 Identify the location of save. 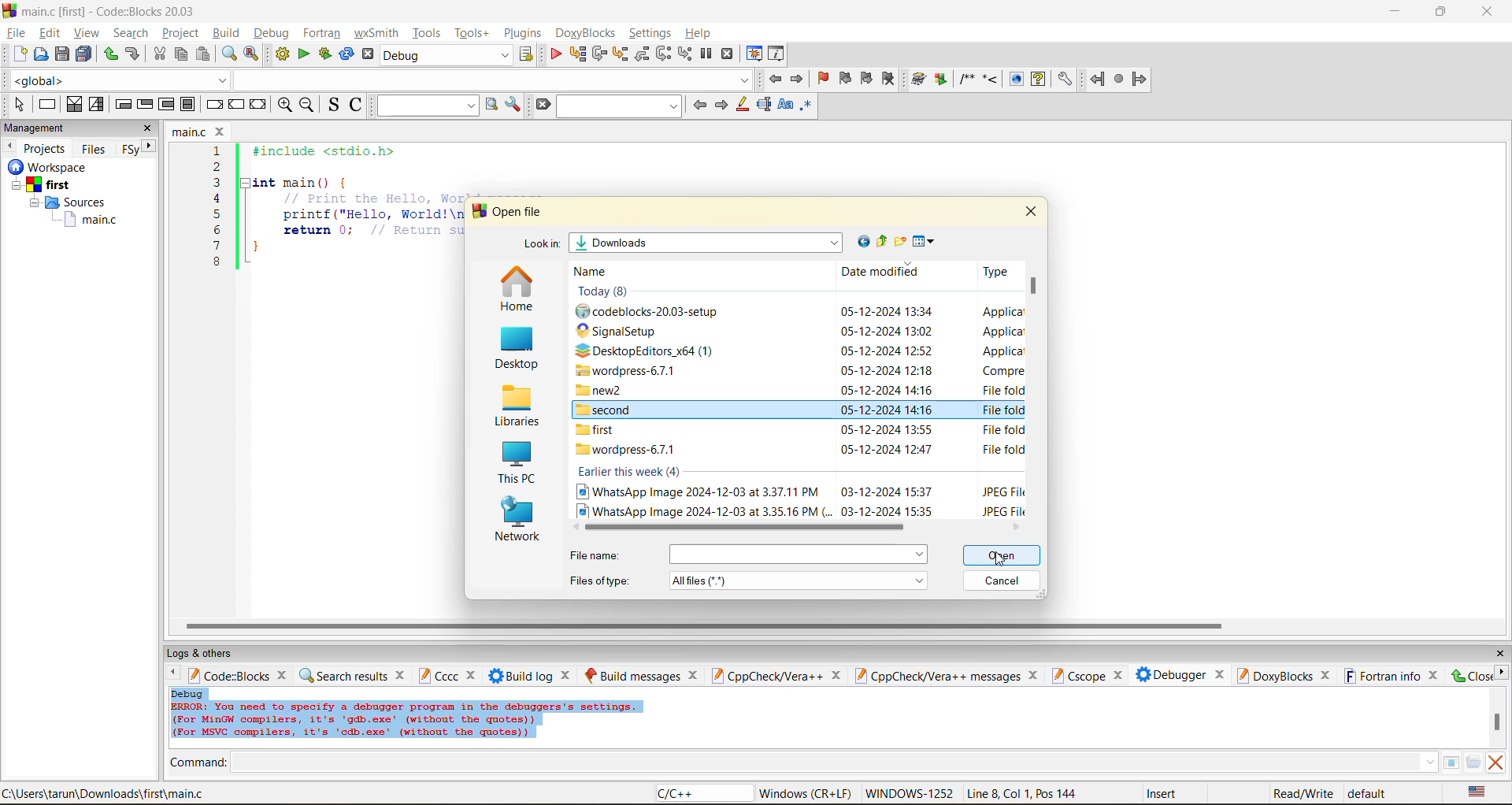
(63, 54).